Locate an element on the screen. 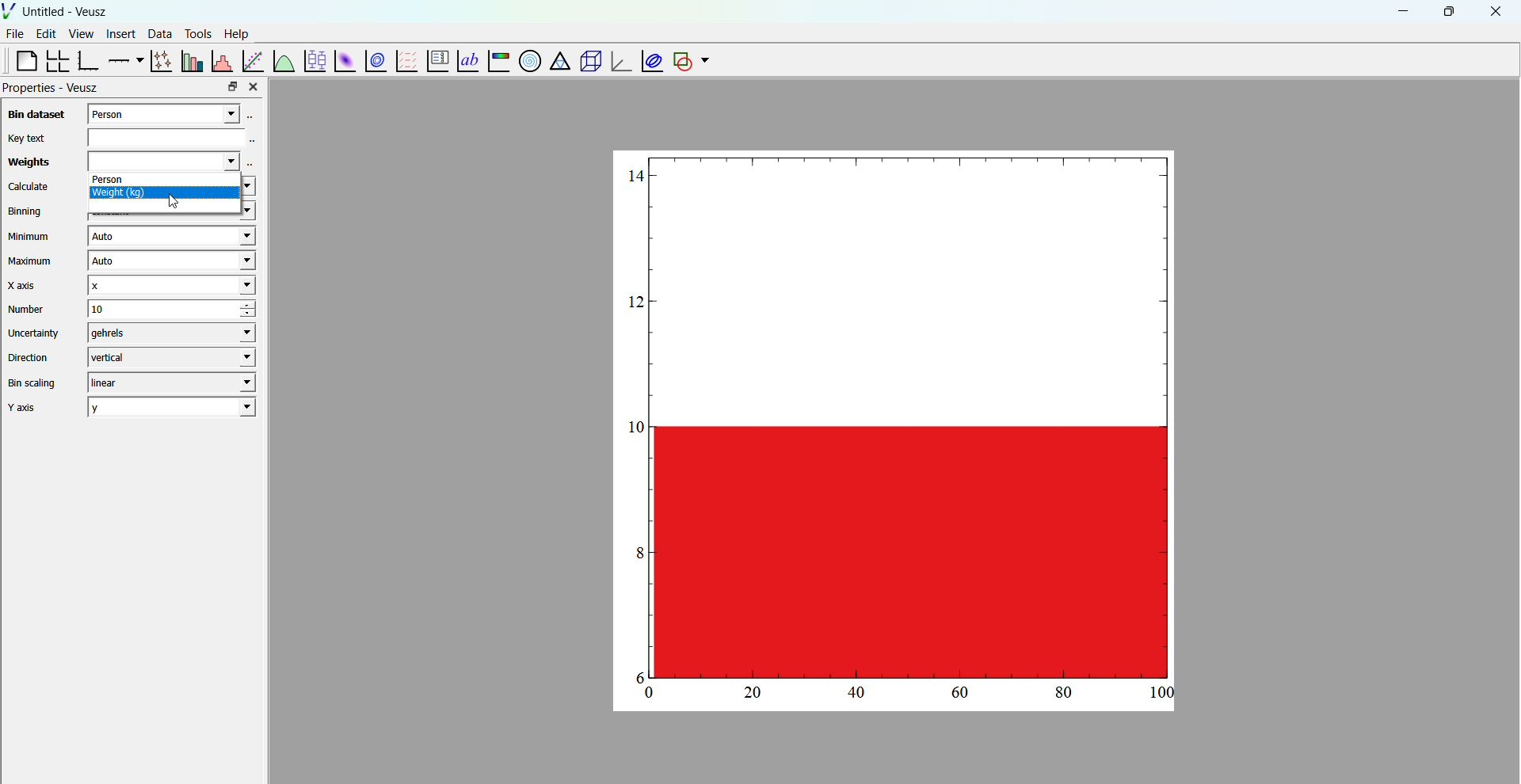 This screenshot has height=784, width=1521. blank page is located at coordinates (20, 60).